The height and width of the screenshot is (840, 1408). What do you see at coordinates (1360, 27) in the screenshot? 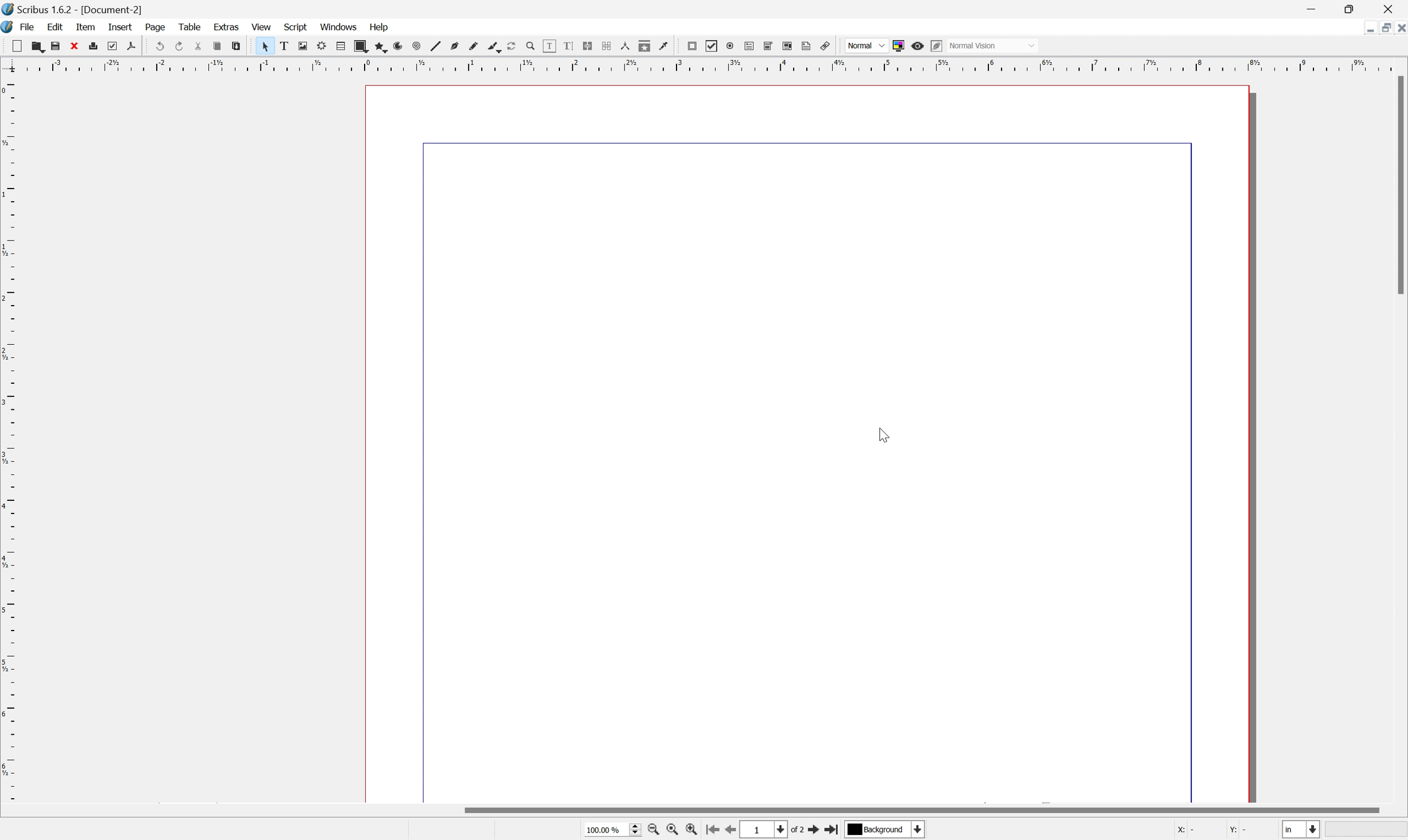
I see `Minimize` at bounding box center [1360, 27].